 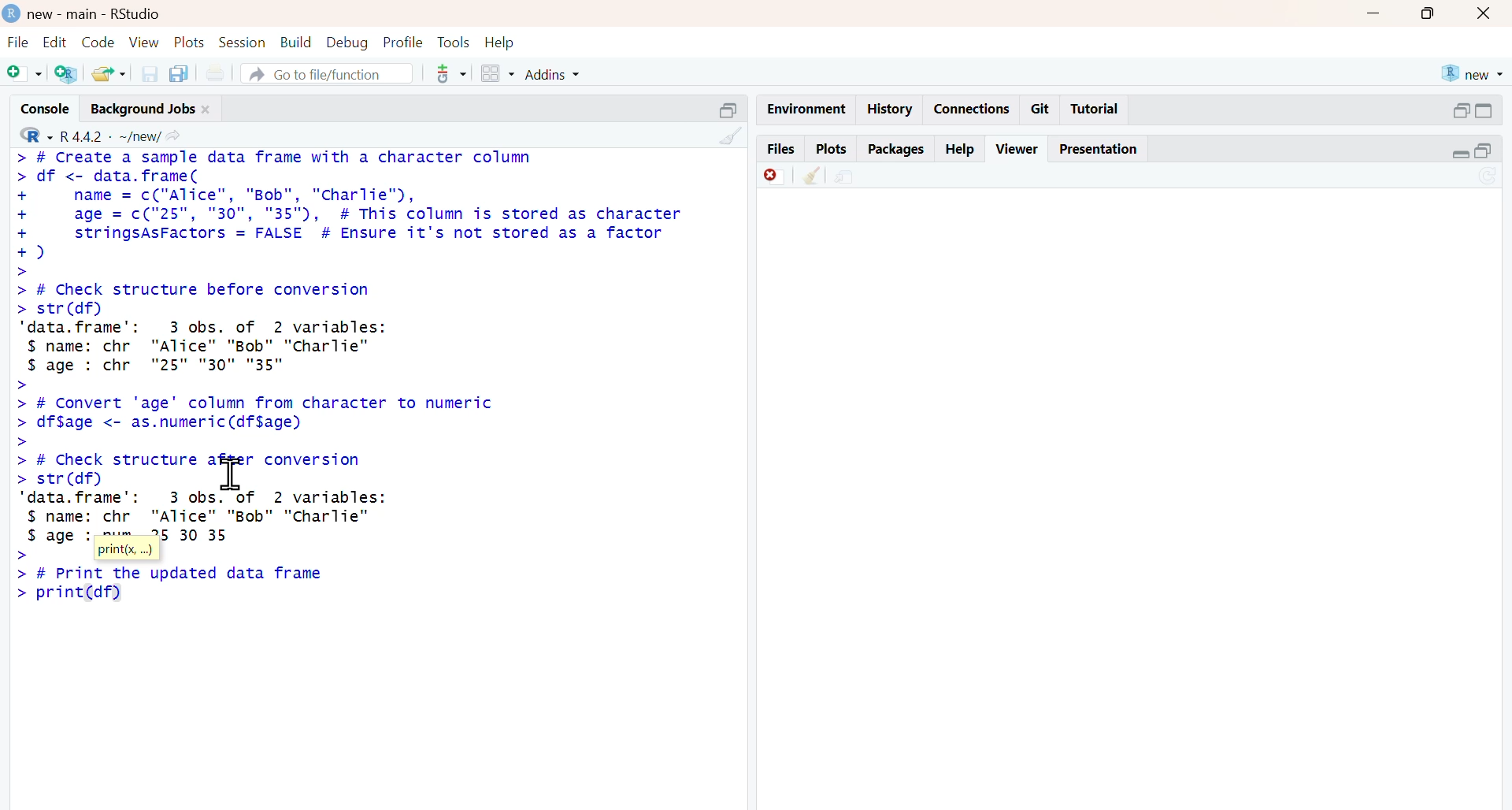 I want to click on share, so click(x=845, y=177).